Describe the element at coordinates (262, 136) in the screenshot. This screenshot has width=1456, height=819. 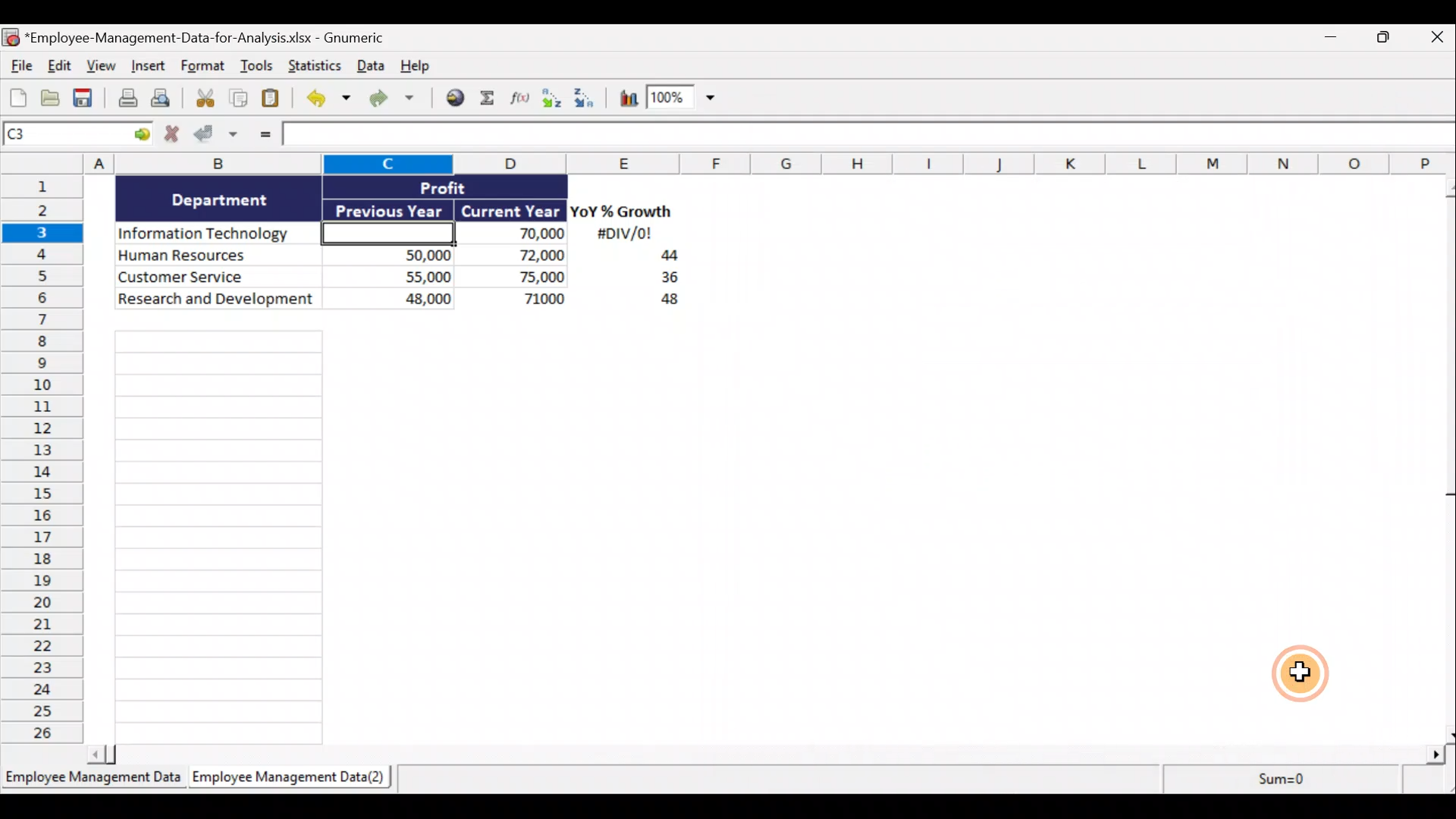
I see `Enter formula` at that location.